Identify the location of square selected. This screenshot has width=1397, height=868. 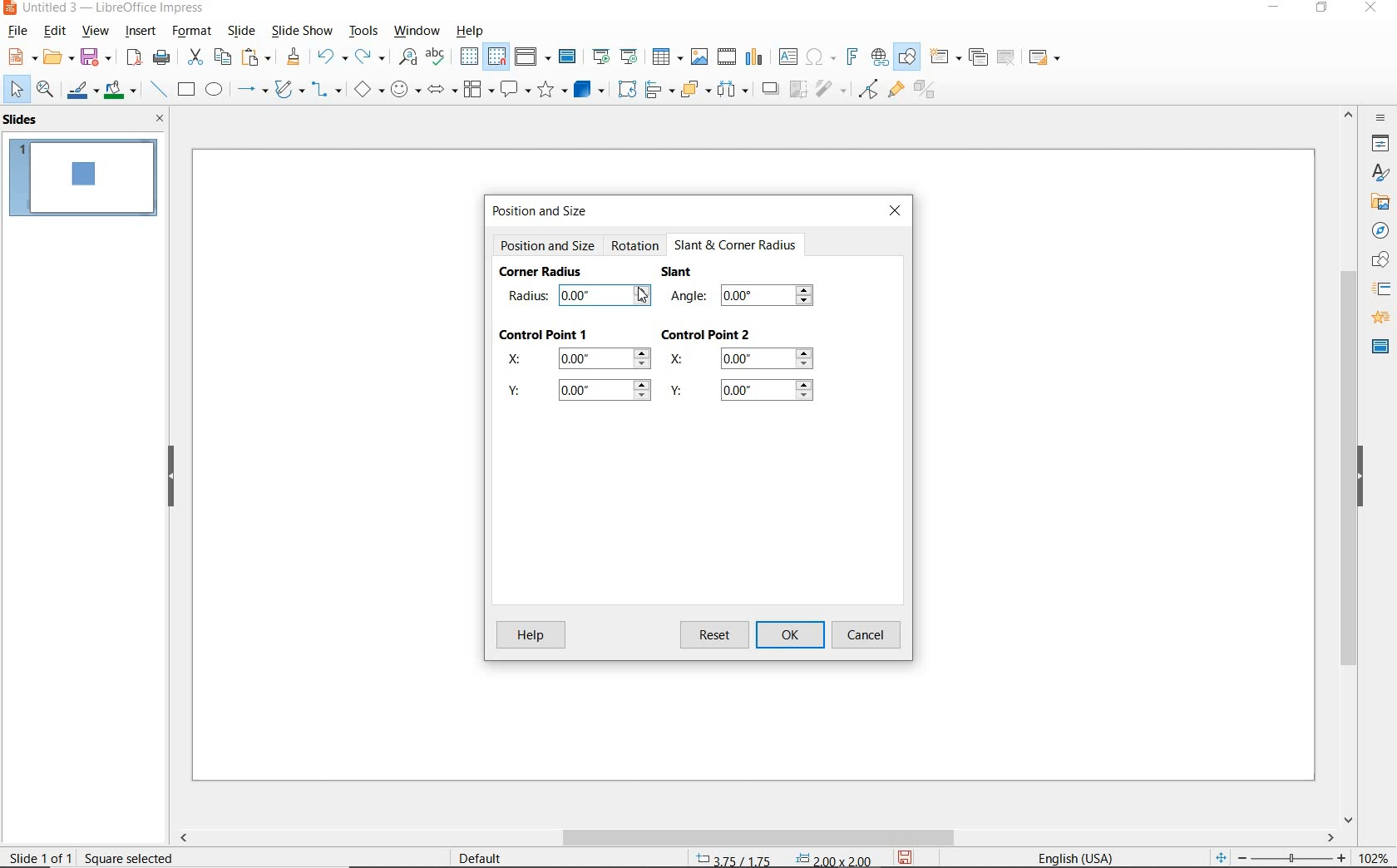
(131, 856).